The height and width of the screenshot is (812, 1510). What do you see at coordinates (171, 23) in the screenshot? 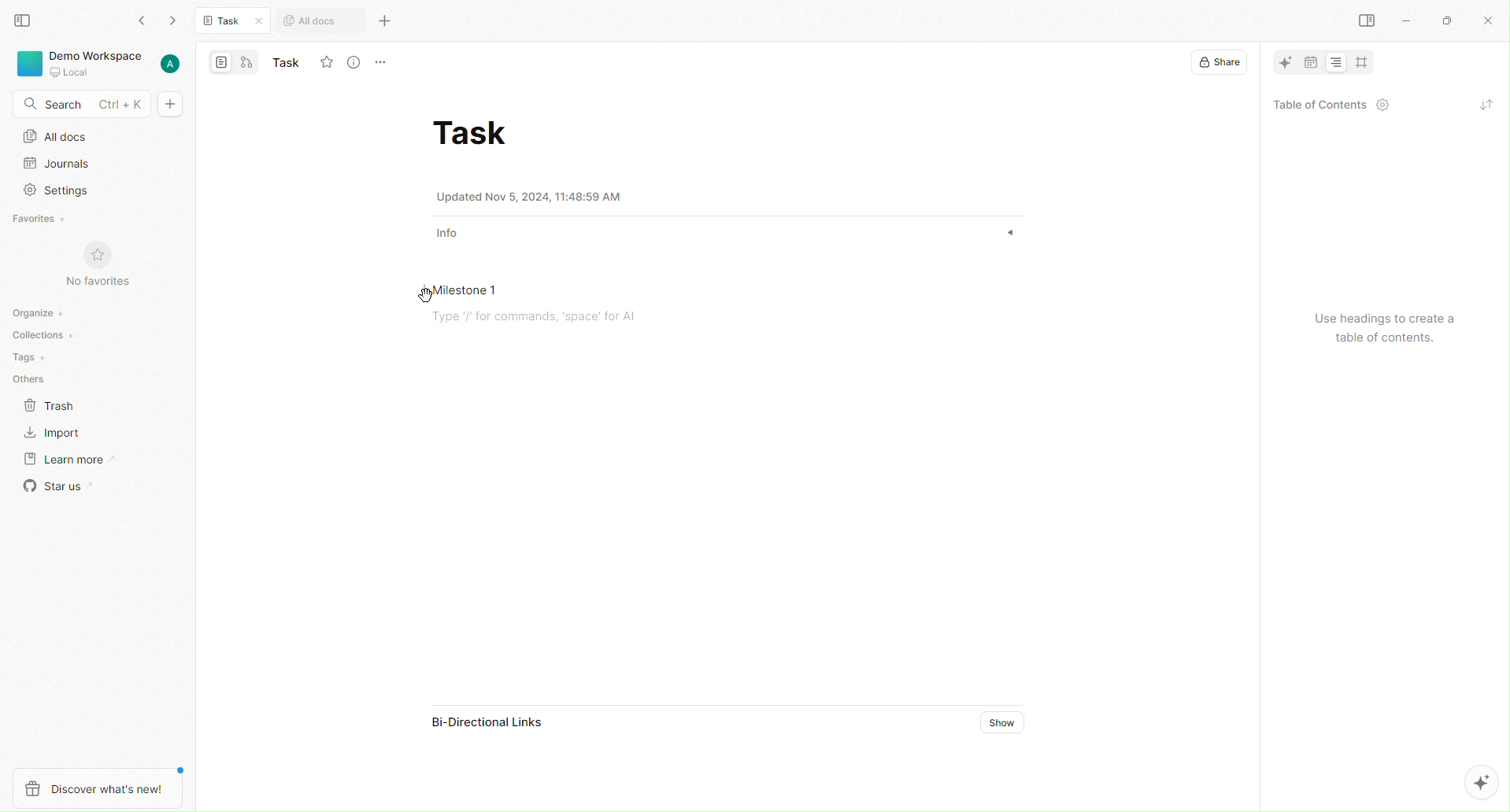
I see `forward` at bounding box center [171, 23].